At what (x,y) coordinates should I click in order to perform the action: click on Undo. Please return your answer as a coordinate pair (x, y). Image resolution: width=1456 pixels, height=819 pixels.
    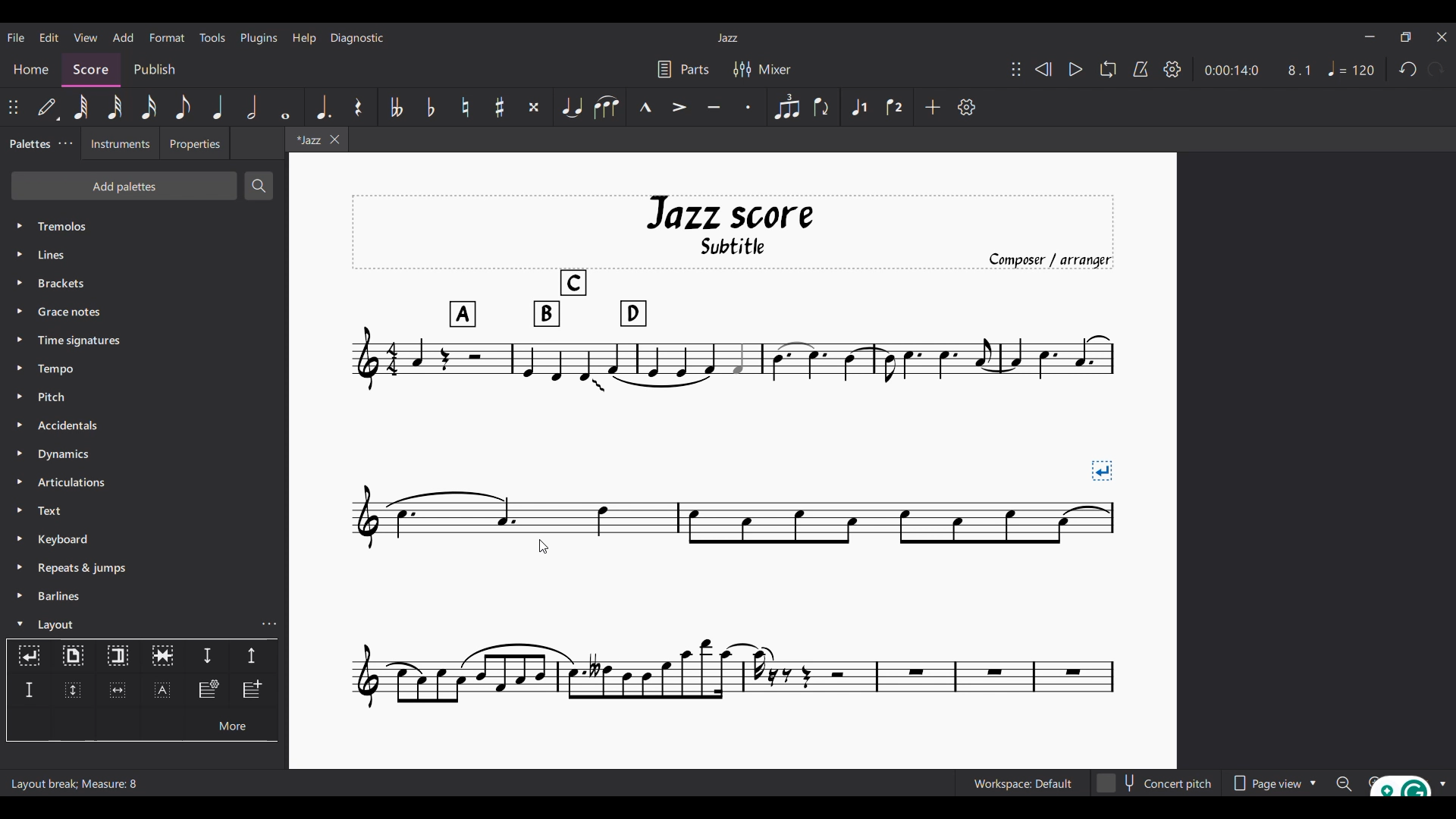
    Looking at the image, I should click on (1408, 69).